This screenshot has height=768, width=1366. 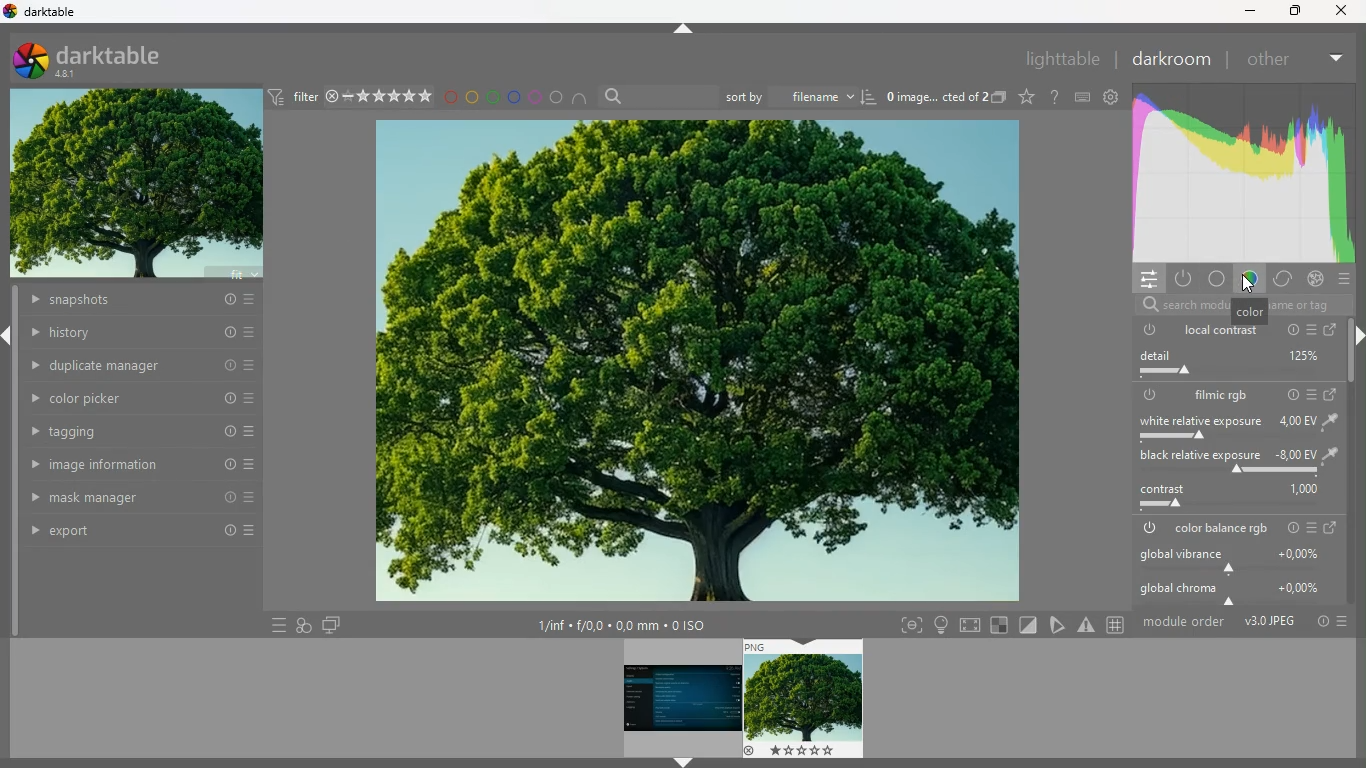 I want to click on other, so click(x=1267, y=60).